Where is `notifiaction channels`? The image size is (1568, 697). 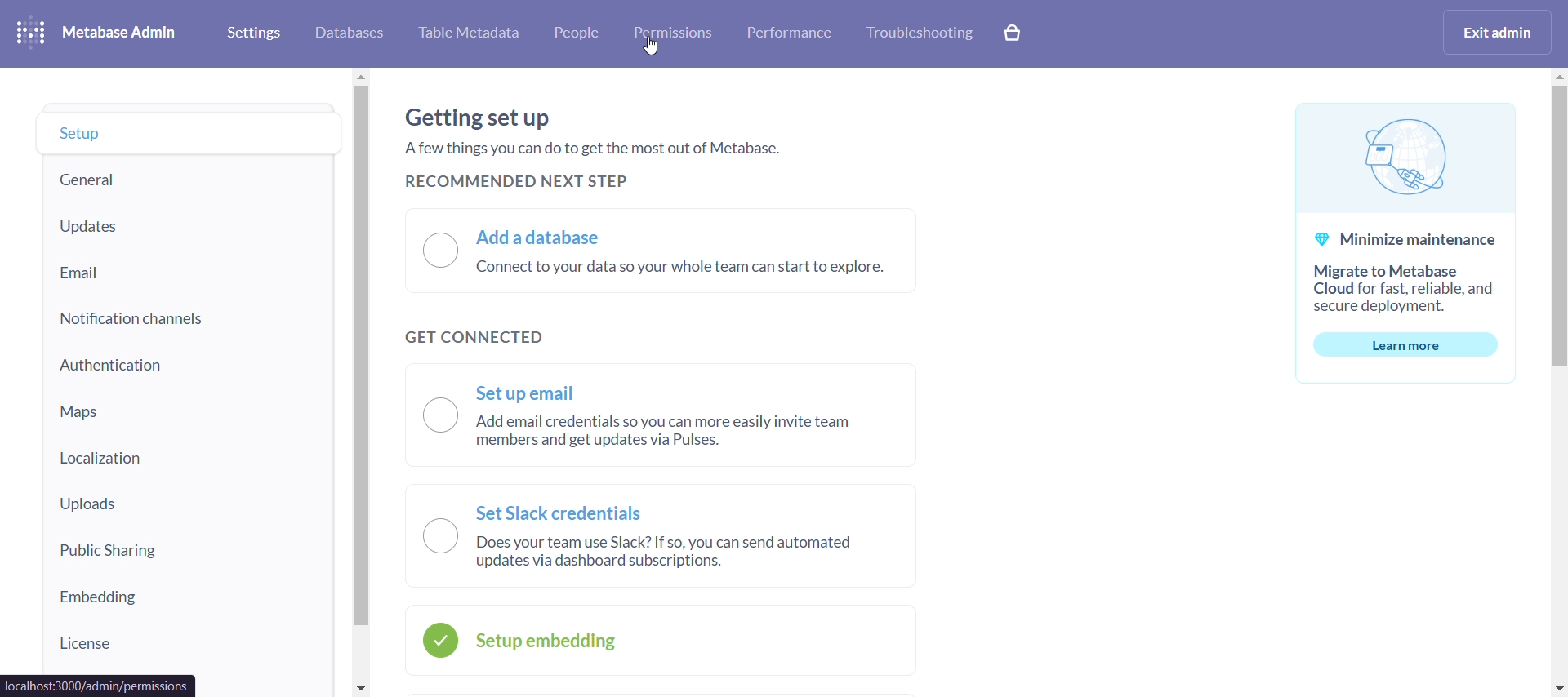 notifiaction channels is located at coordinates (185, 318).